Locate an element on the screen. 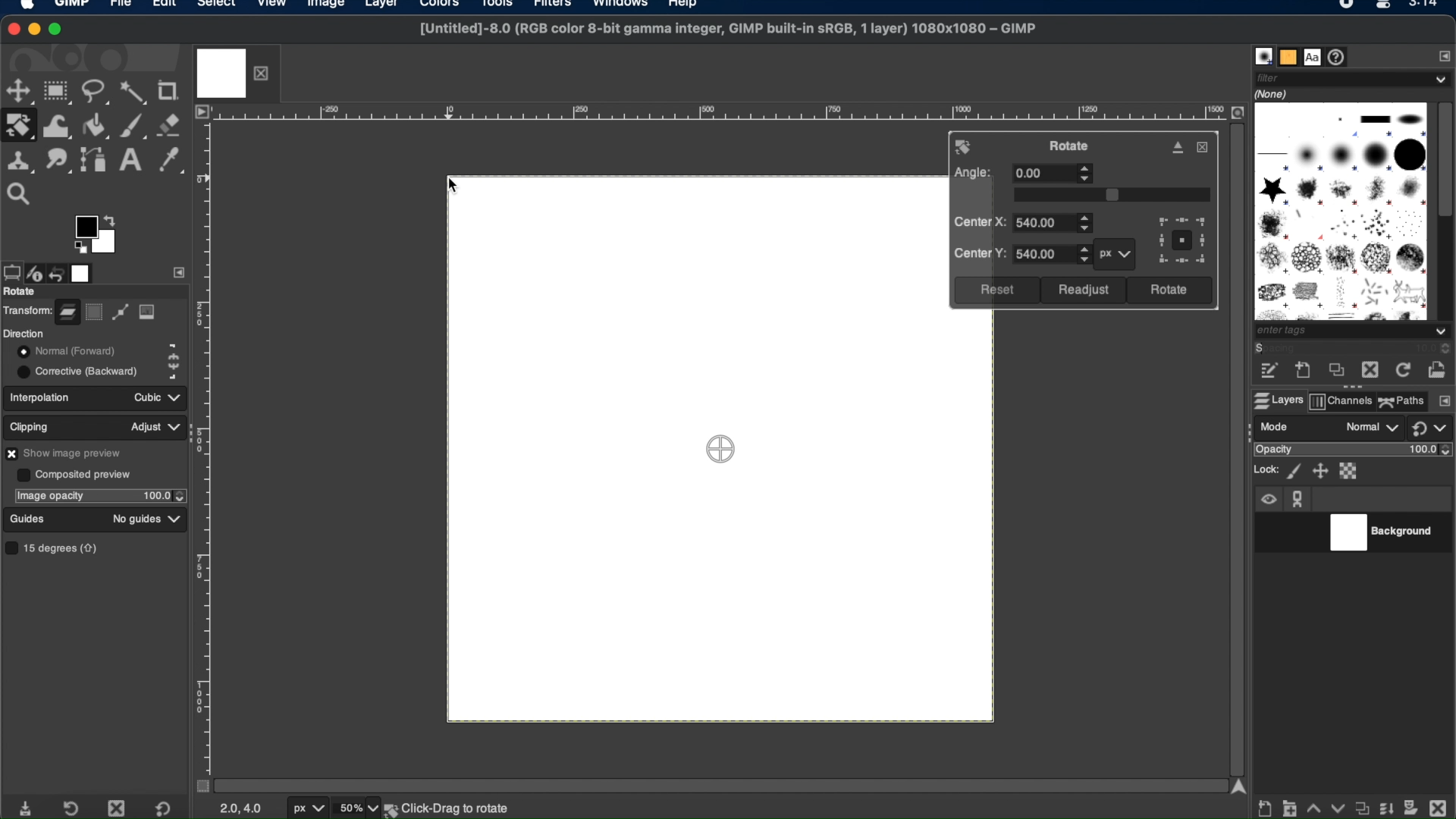  smudge tool is located at coordinates (58, 159).